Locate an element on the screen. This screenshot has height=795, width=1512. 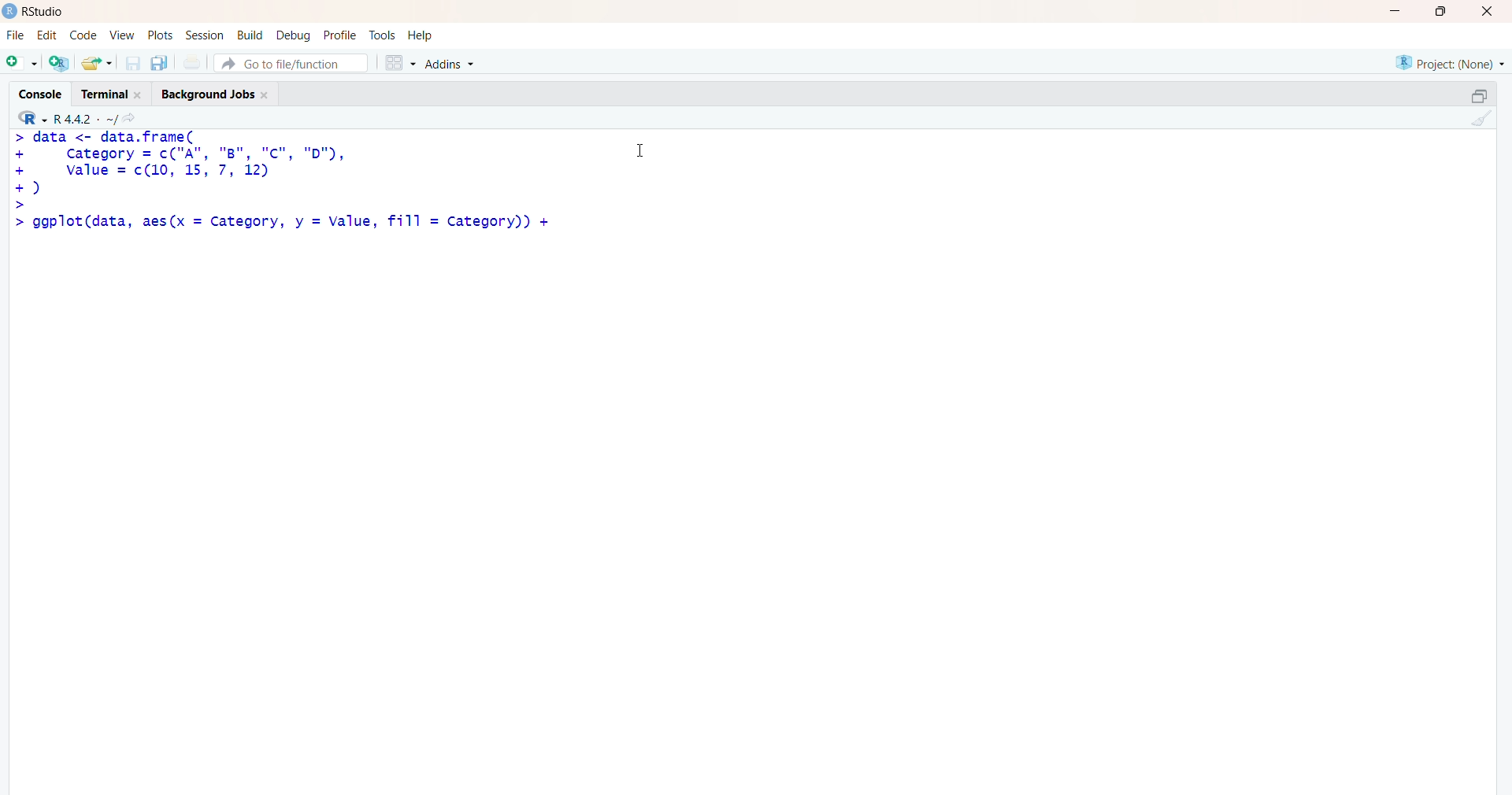
maximize is located at coordinates (1479, 96).